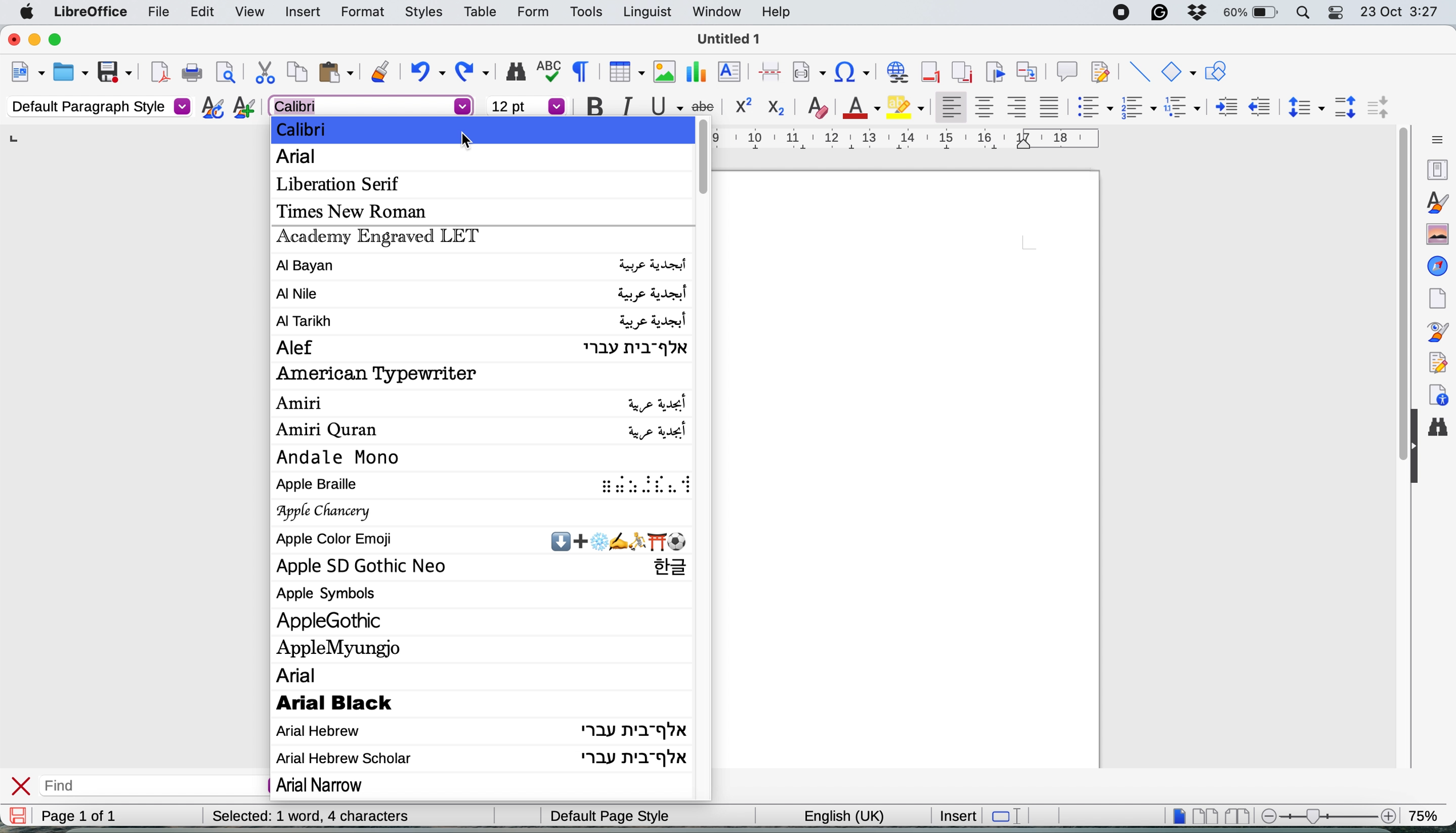 The image size is (1456, 833). Describe the element at coordinates (156, 73) in the screenshot. I see `export as pdf` at that location.